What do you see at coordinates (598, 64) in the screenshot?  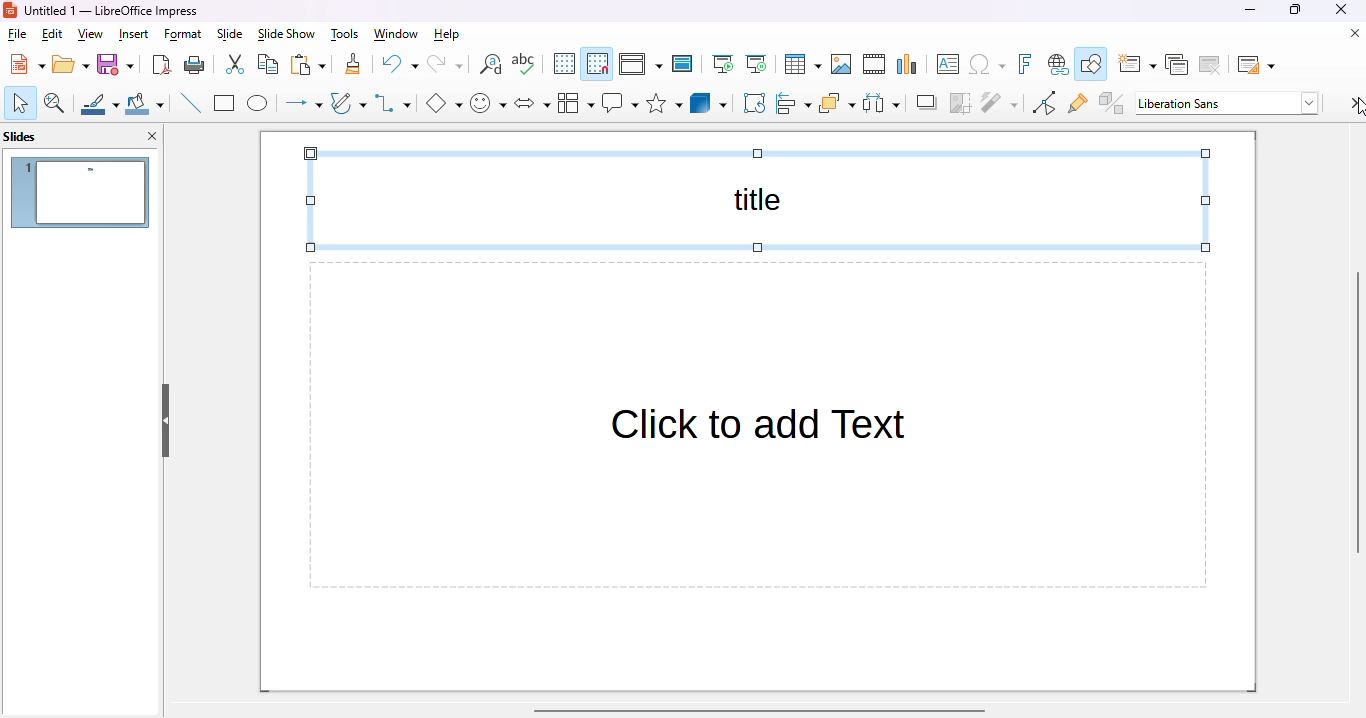 I see `snap to grid` at bounding box center [598, 64].